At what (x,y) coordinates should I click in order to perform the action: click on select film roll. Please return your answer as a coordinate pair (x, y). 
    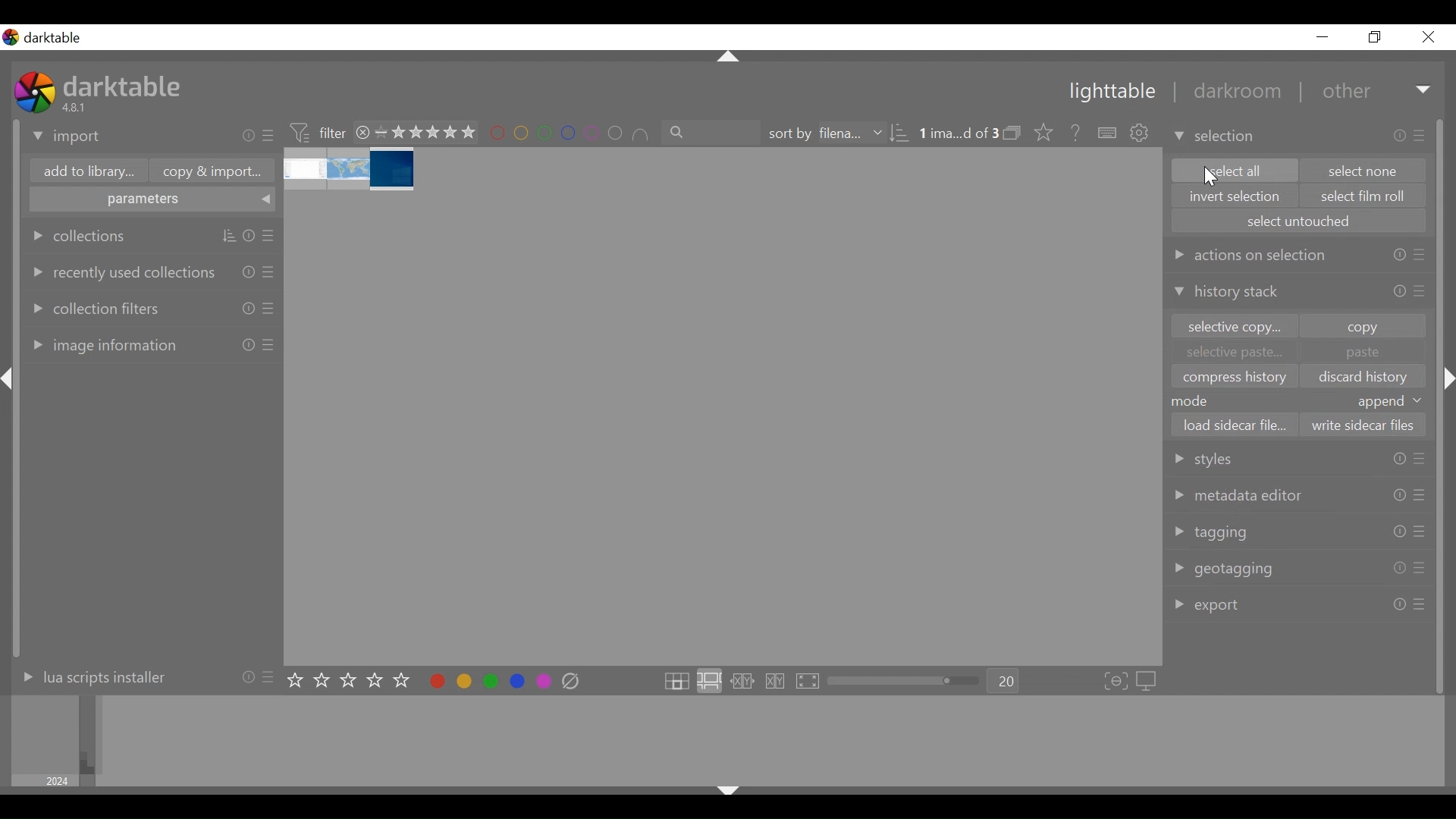
    Looking at the image, I should click on (1364, 197).